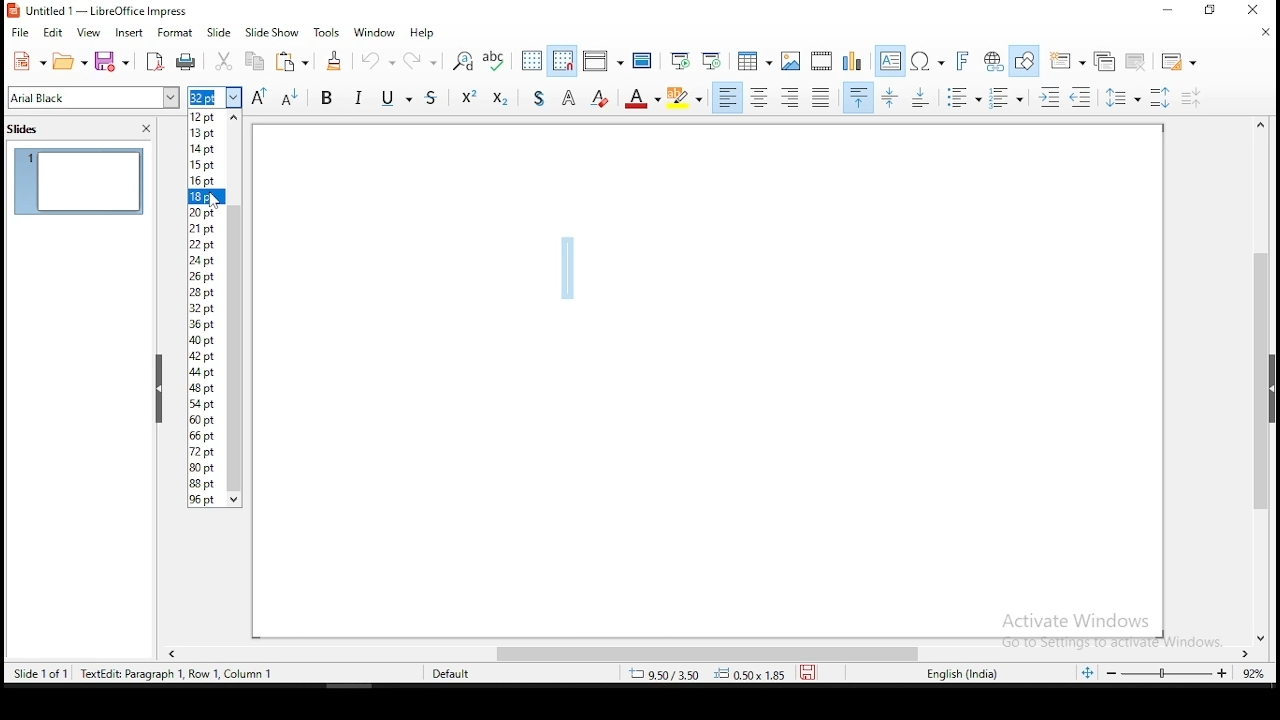 This screenshot has width=1280, height=720. What do you see at coordinates (1124, 97) in the screenshot?
I see `Line Spacing` at bounding box center [1124, 97].